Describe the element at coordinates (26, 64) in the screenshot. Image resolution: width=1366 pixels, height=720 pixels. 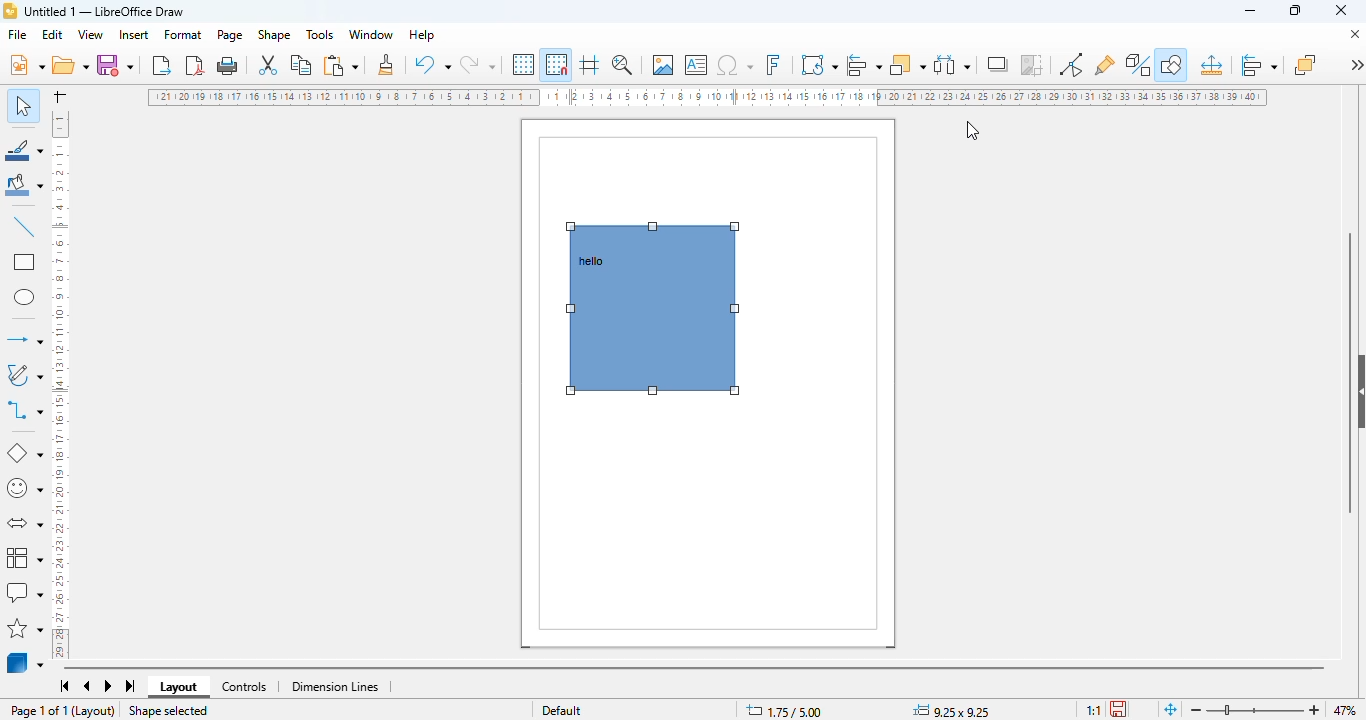
I see `new` at that location.